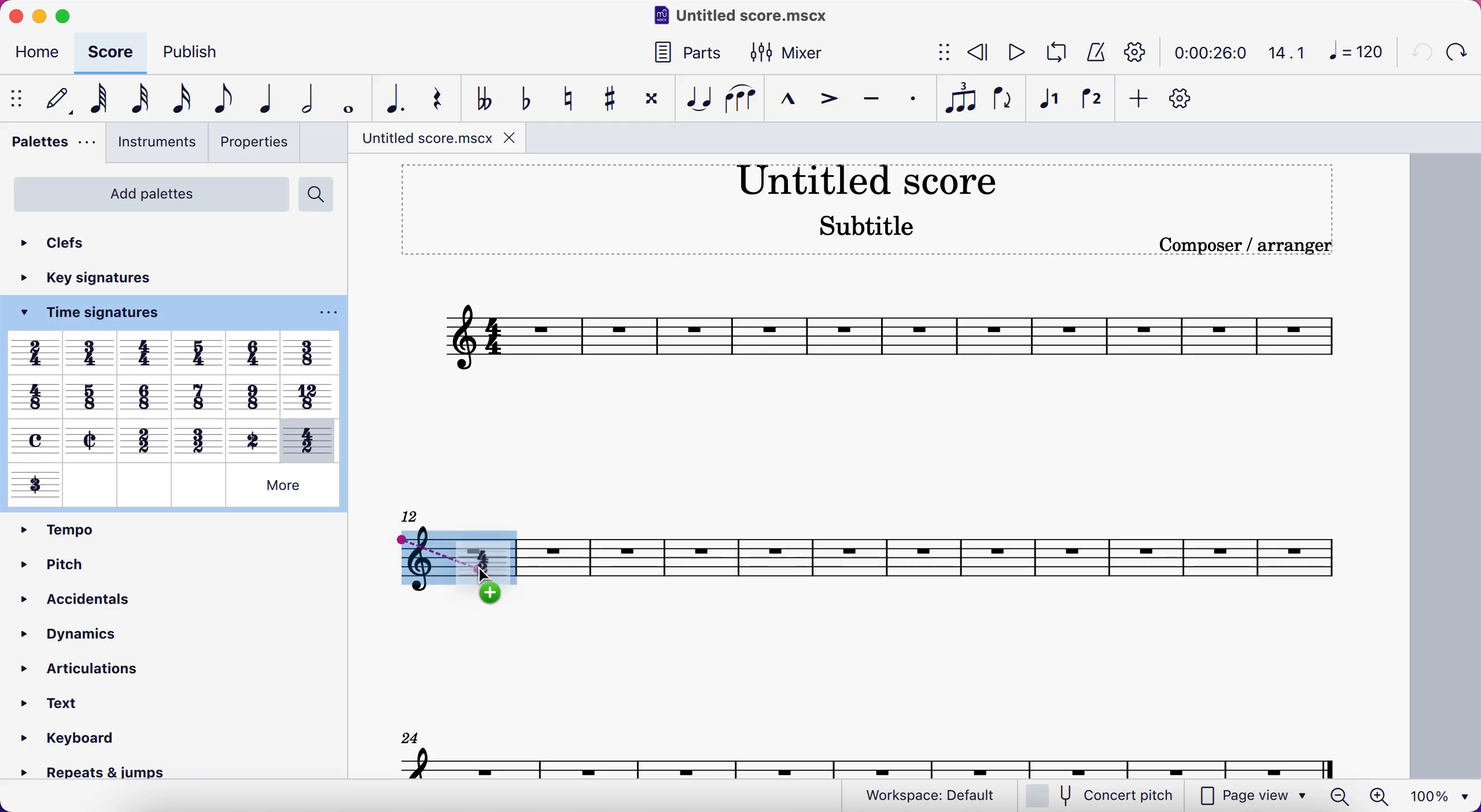 The height and width of the screenshot is (812, 1481). Describe the element at coordinates (1052, 53) in the screenshot. I see `loop playback` at that location.